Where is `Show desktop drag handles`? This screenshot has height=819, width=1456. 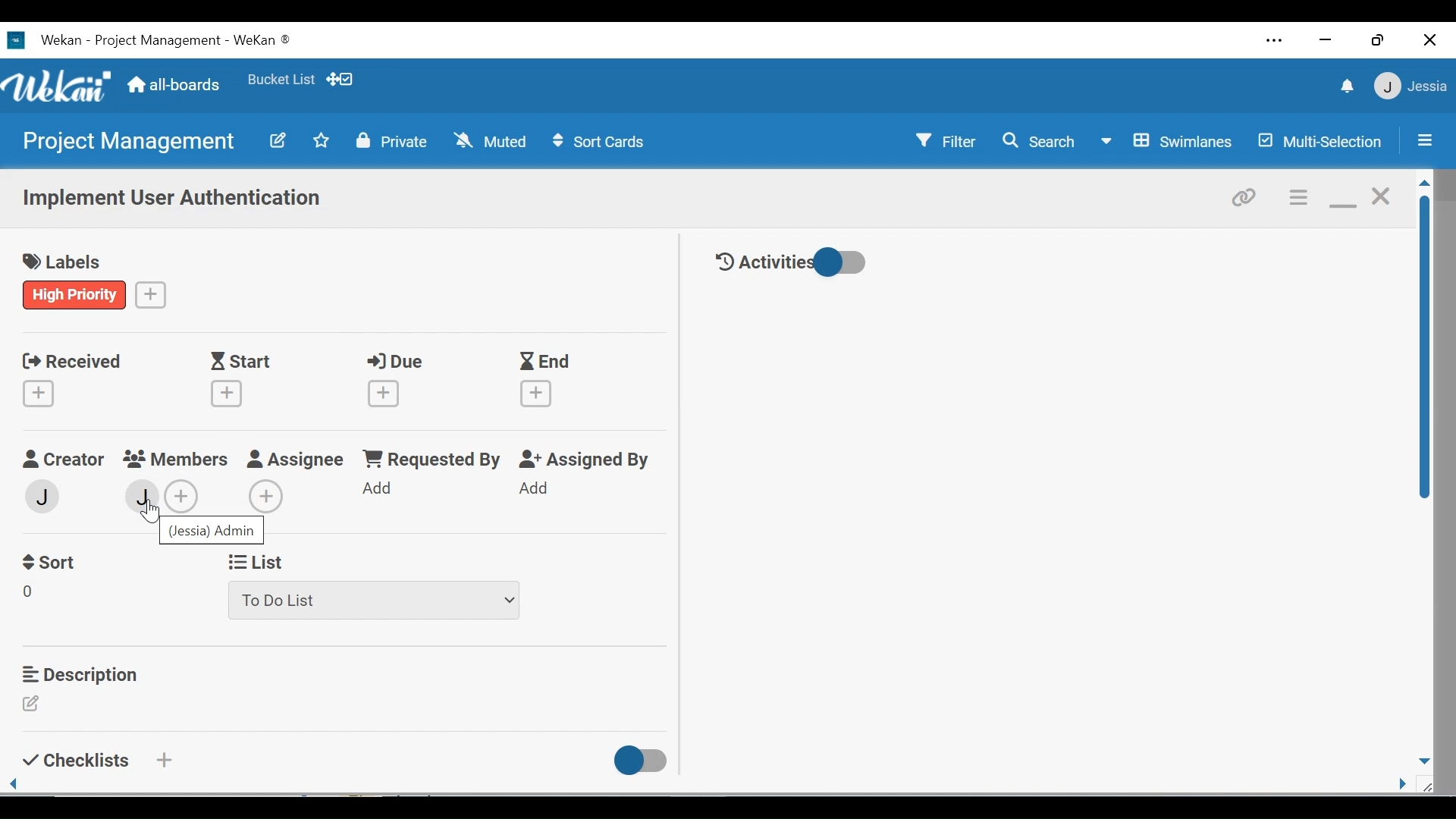
Show desktop drag handles is located at coordinates (344, 80).